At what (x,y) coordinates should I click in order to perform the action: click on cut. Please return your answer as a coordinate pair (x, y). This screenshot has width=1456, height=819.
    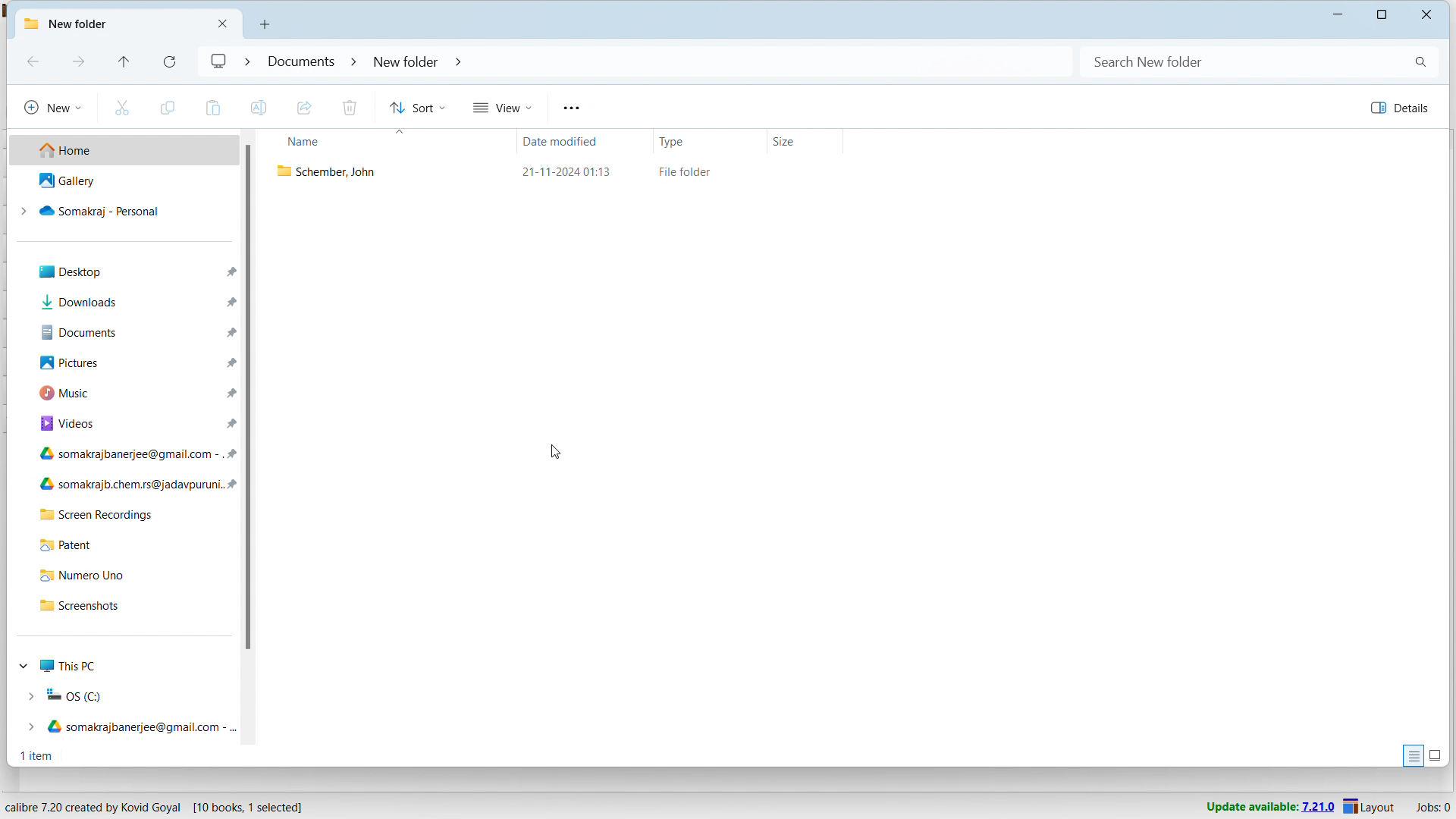
    Looking at the image, I should click on (124, 107).